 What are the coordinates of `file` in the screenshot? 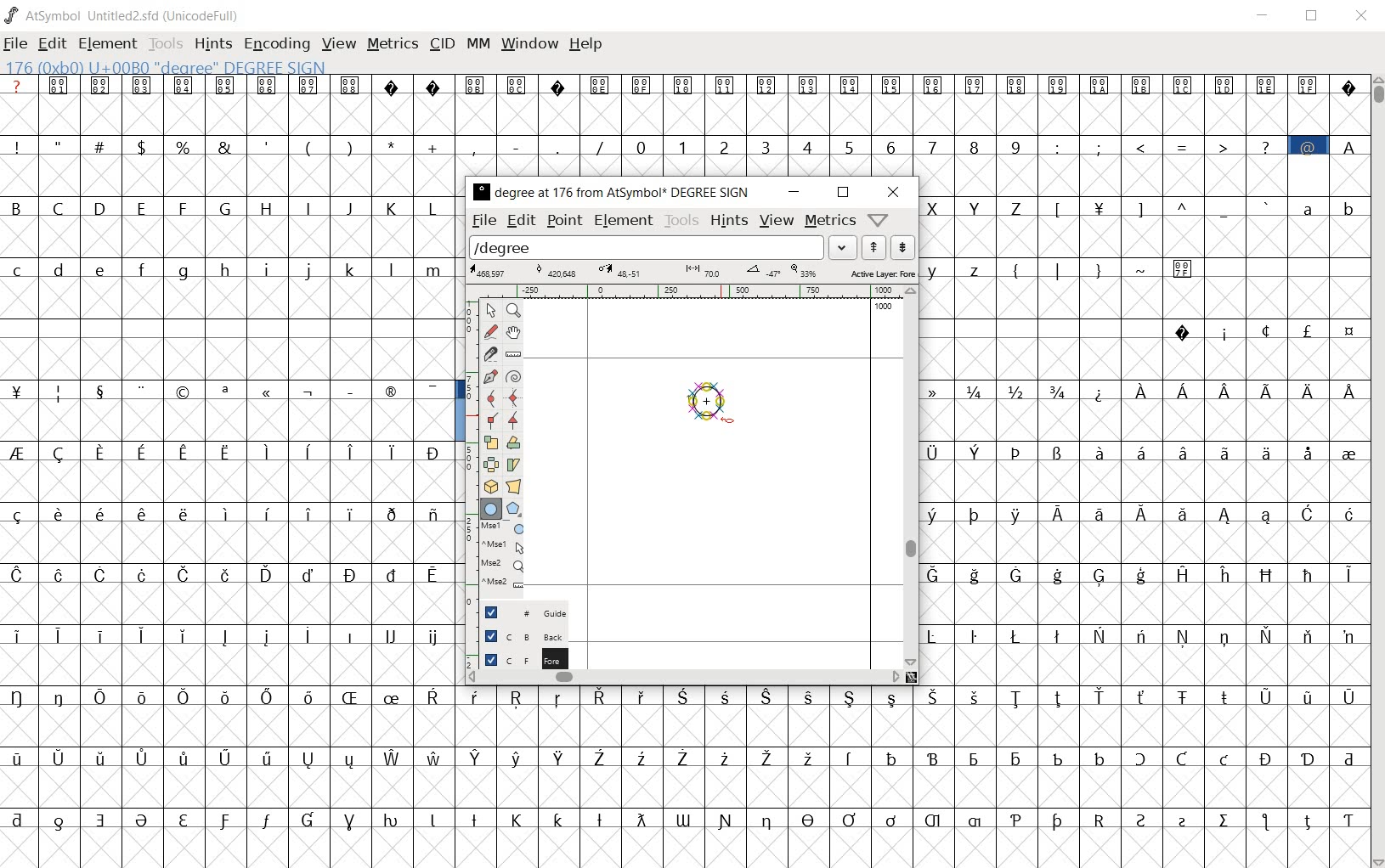 It's located at (484, 222).